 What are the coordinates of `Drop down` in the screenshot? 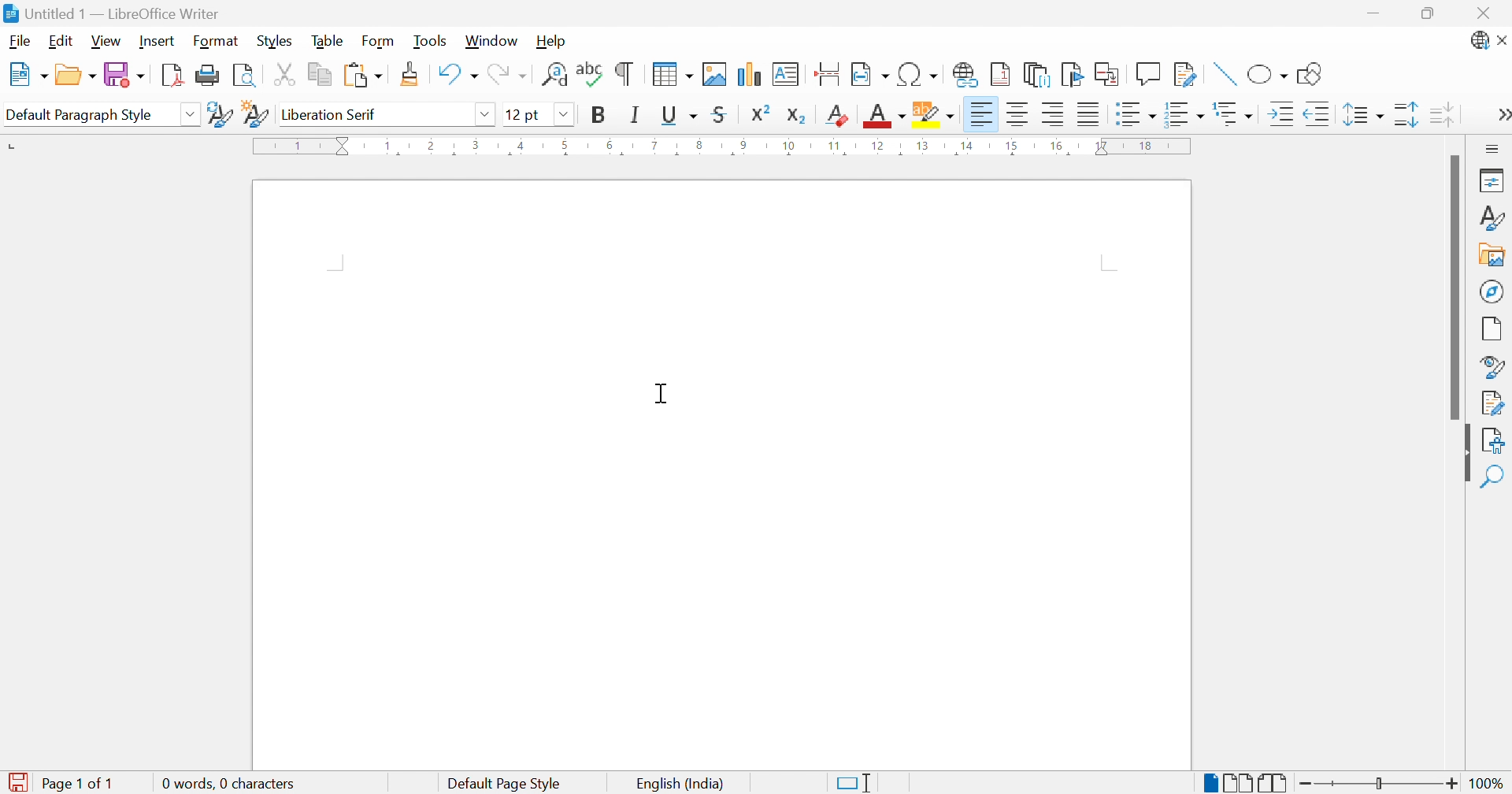 It's located at (190, 114).